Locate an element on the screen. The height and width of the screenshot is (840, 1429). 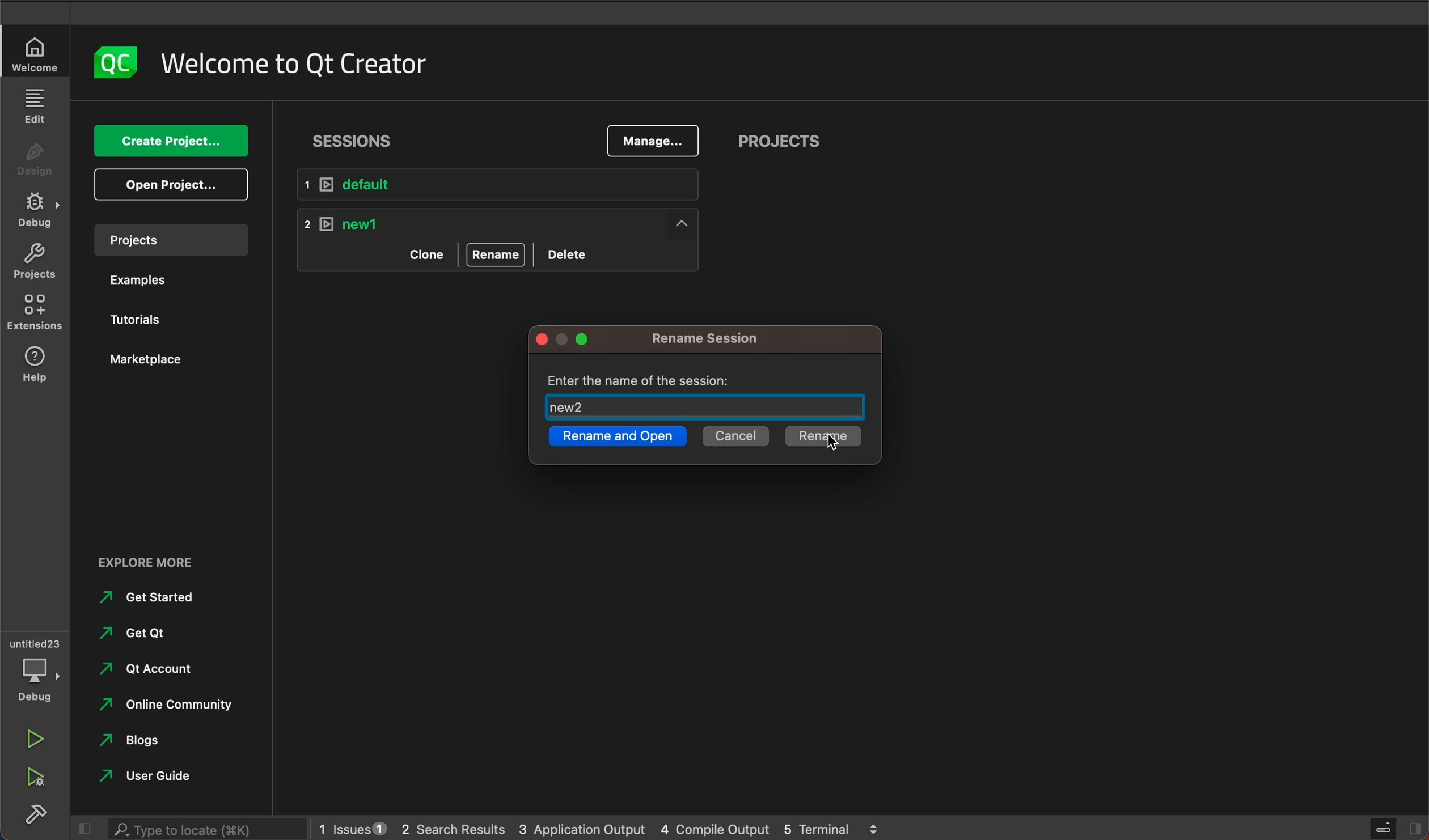
debug is located at coordinates (40, 672).